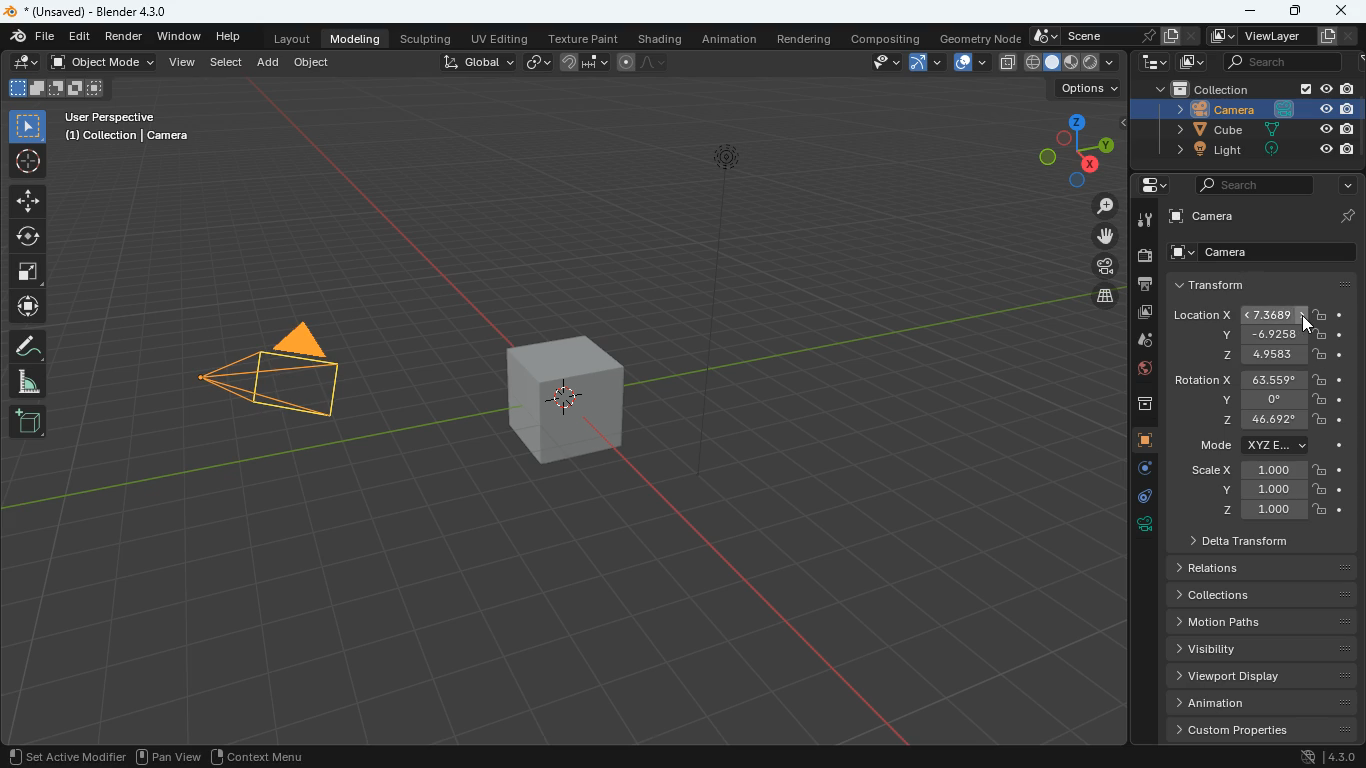 Image resolution: width=1366 pixels, height=768 pixels. I want to click on move, so click(1094, 236).